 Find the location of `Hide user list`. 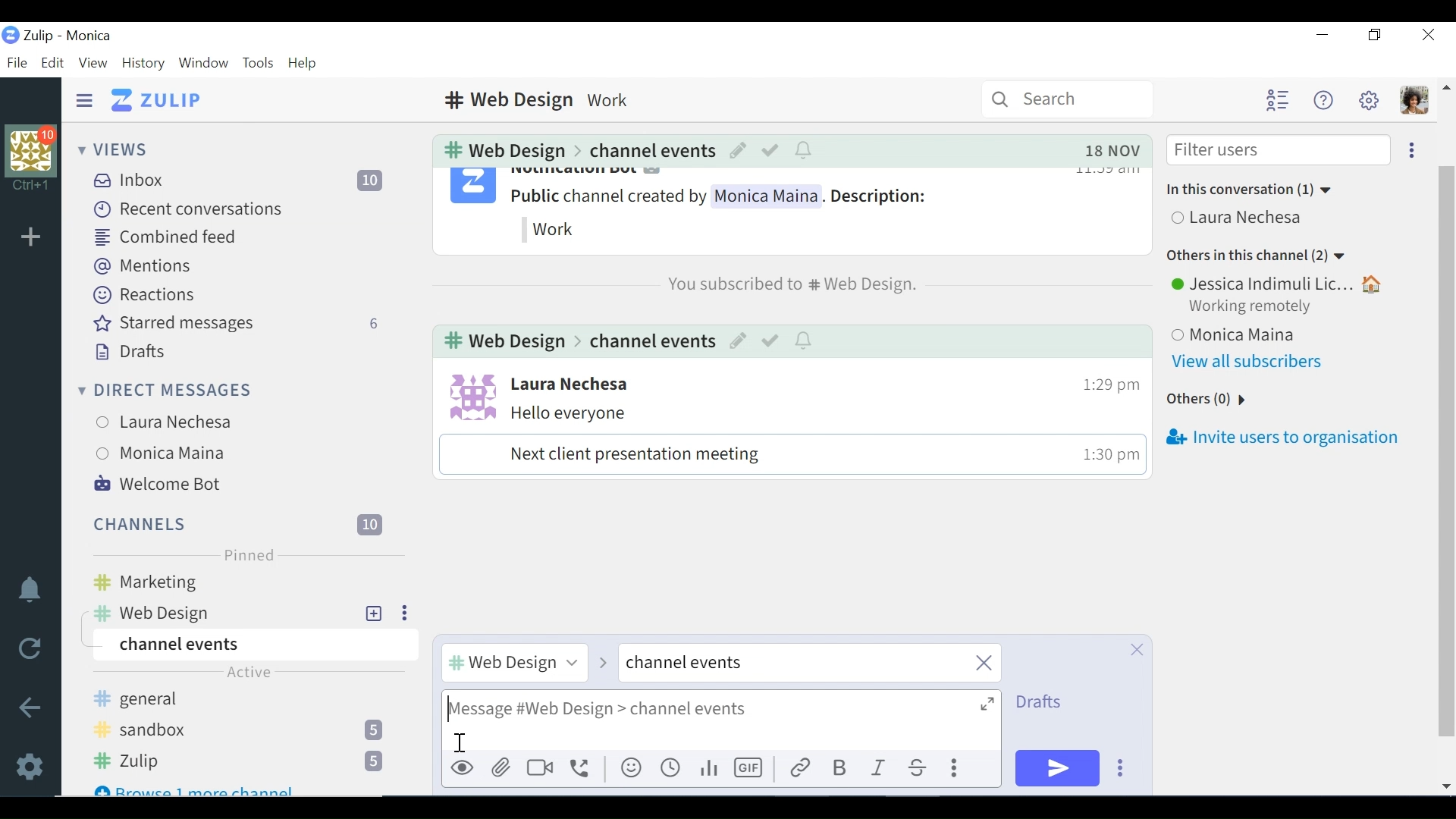

Hide user list is located at coordinates (1277, 101).